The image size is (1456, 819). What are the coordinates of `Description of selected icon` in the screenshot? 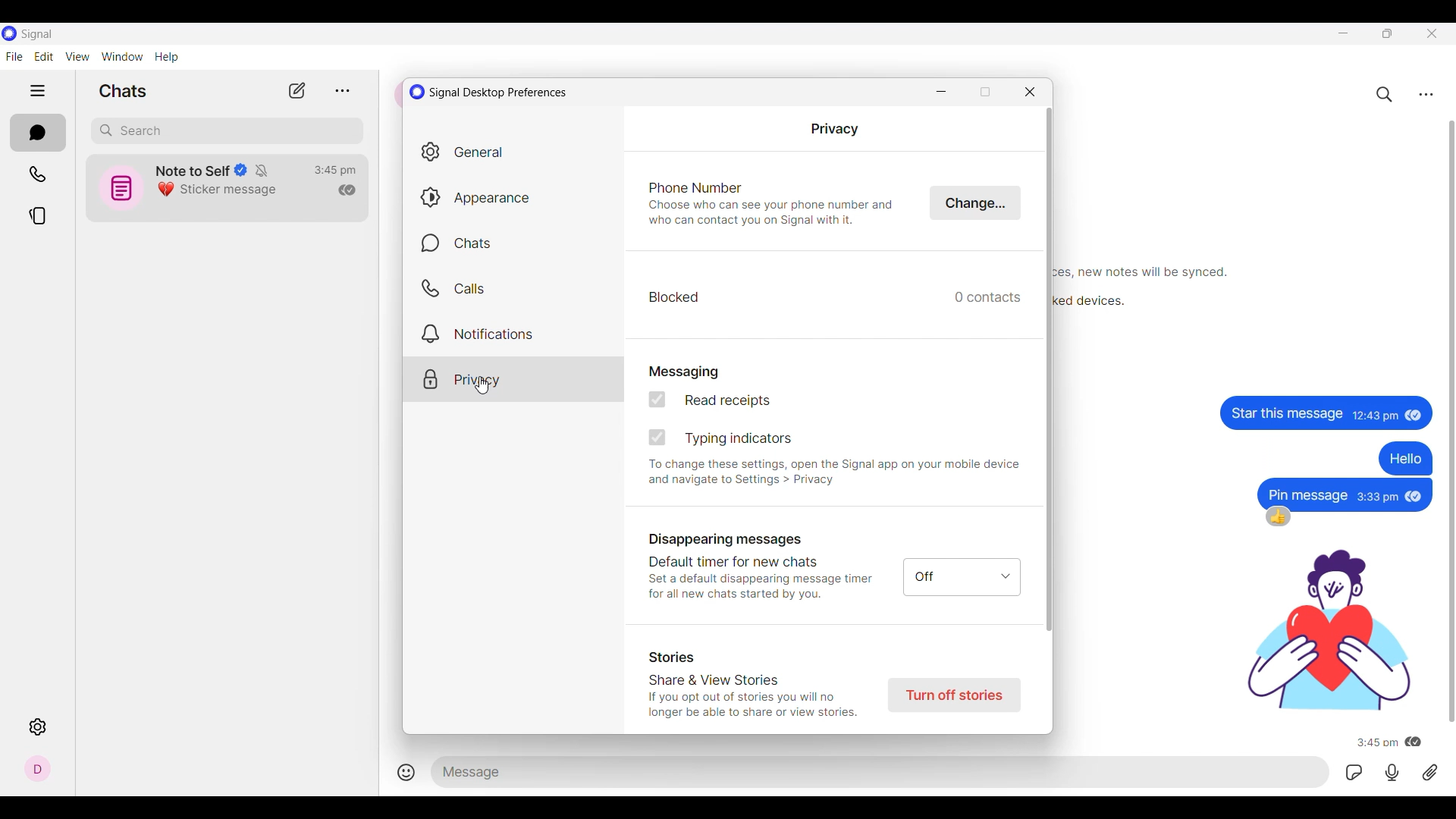 It's located at (122, 727).